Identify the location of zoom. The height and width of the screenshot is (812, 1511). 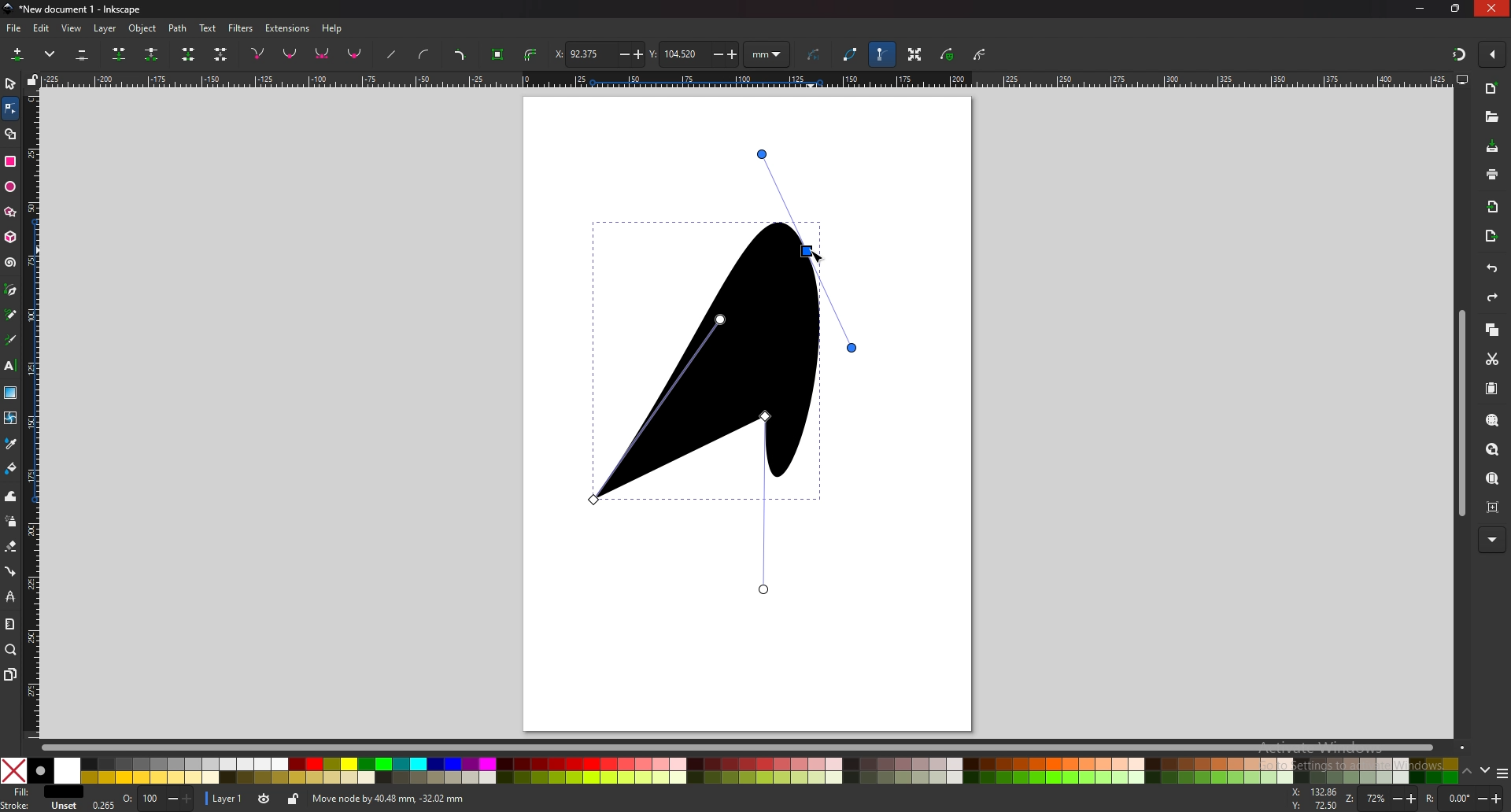
(11, 650).